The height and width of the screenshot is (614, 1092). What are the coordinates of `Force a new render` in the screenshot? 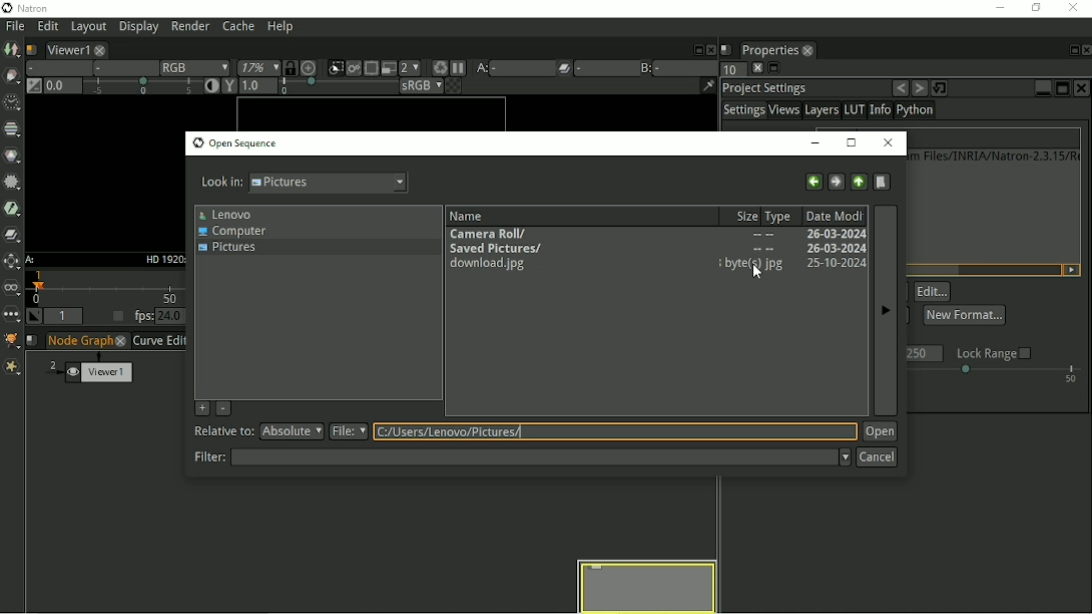 It's located at (439, 67).